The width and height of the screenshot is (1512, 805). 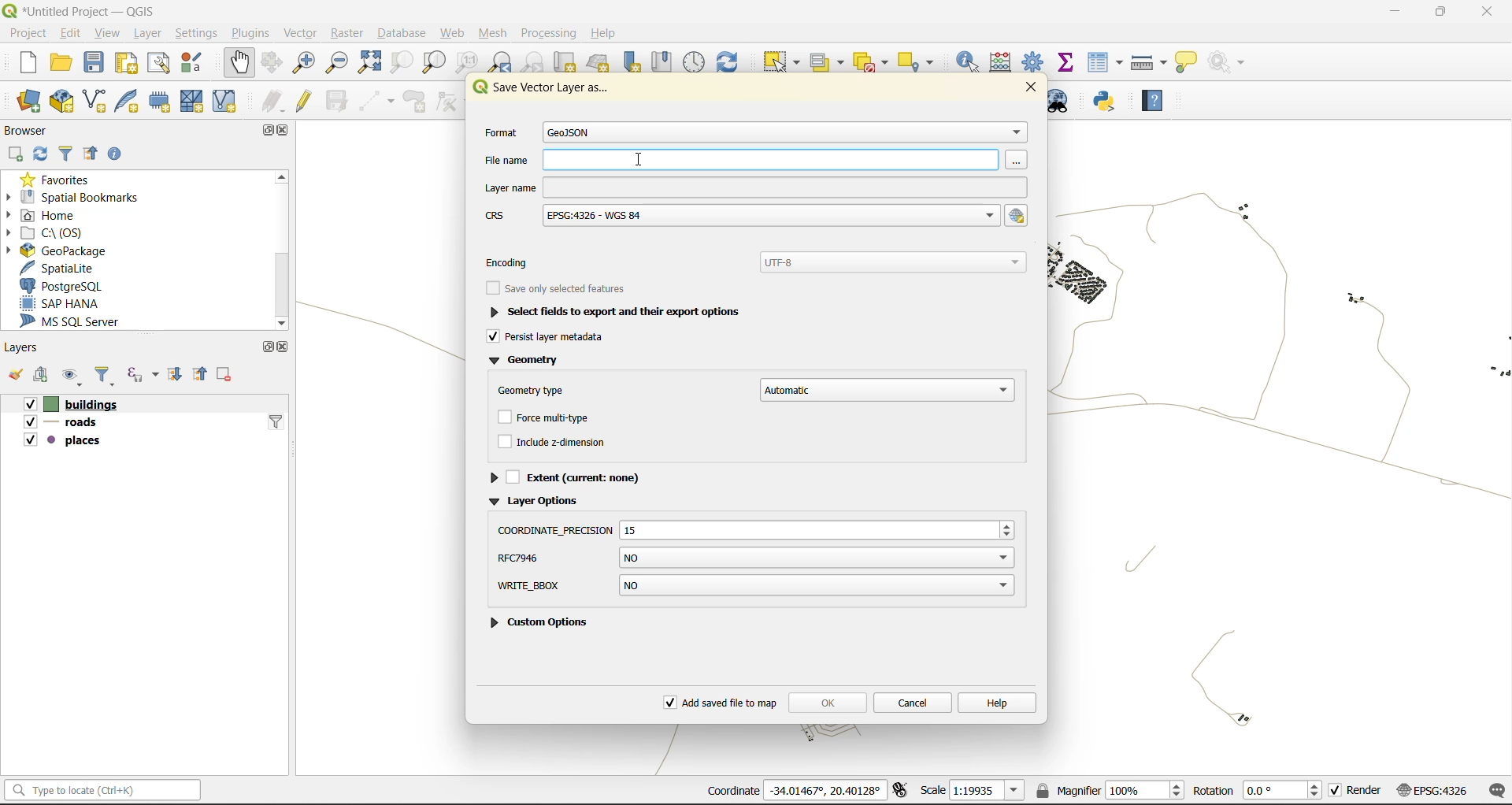 What do you see at coordinates (600, 65) in the screenshot?
I see `new 3d map view` at bounding box center [600, 65].